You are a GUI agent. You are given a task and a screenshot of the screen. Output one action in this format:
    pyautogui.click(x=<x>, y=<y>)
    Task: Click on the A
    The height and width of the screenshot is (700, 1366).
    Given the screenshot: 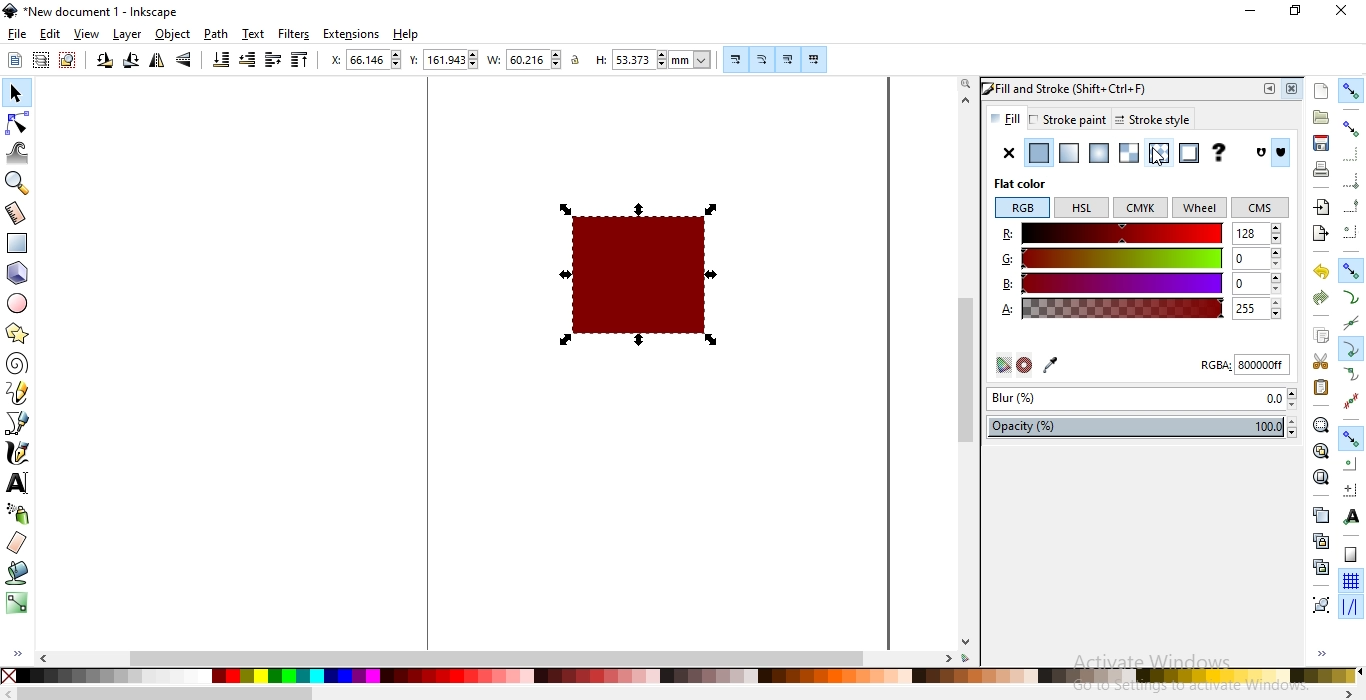 What is the action you would take?
    pyautogui.click(x=1112, y=308)
    